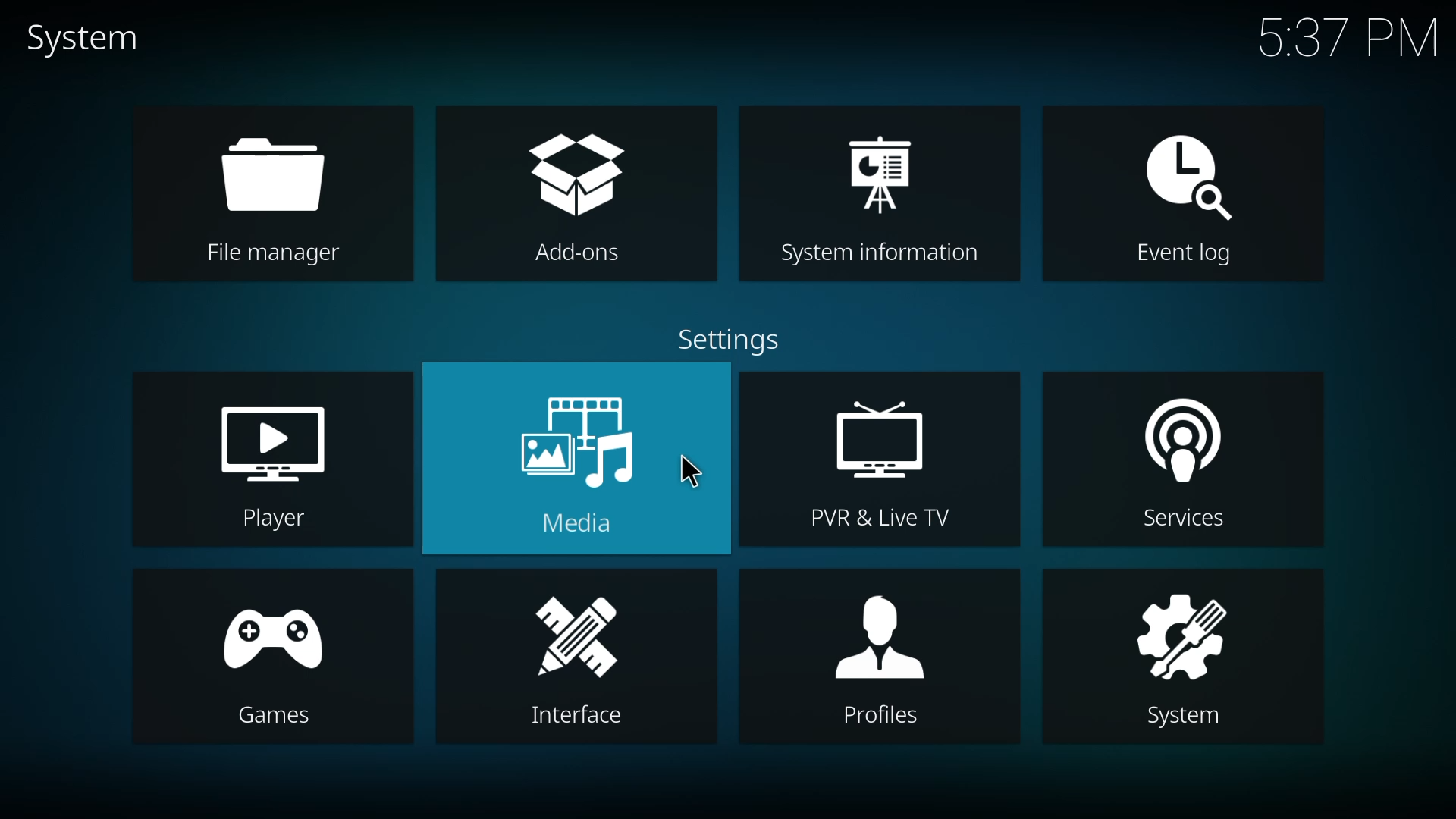  Describe the element at coordinates (881, 170) in the screenshot. I see `system information` at that location.